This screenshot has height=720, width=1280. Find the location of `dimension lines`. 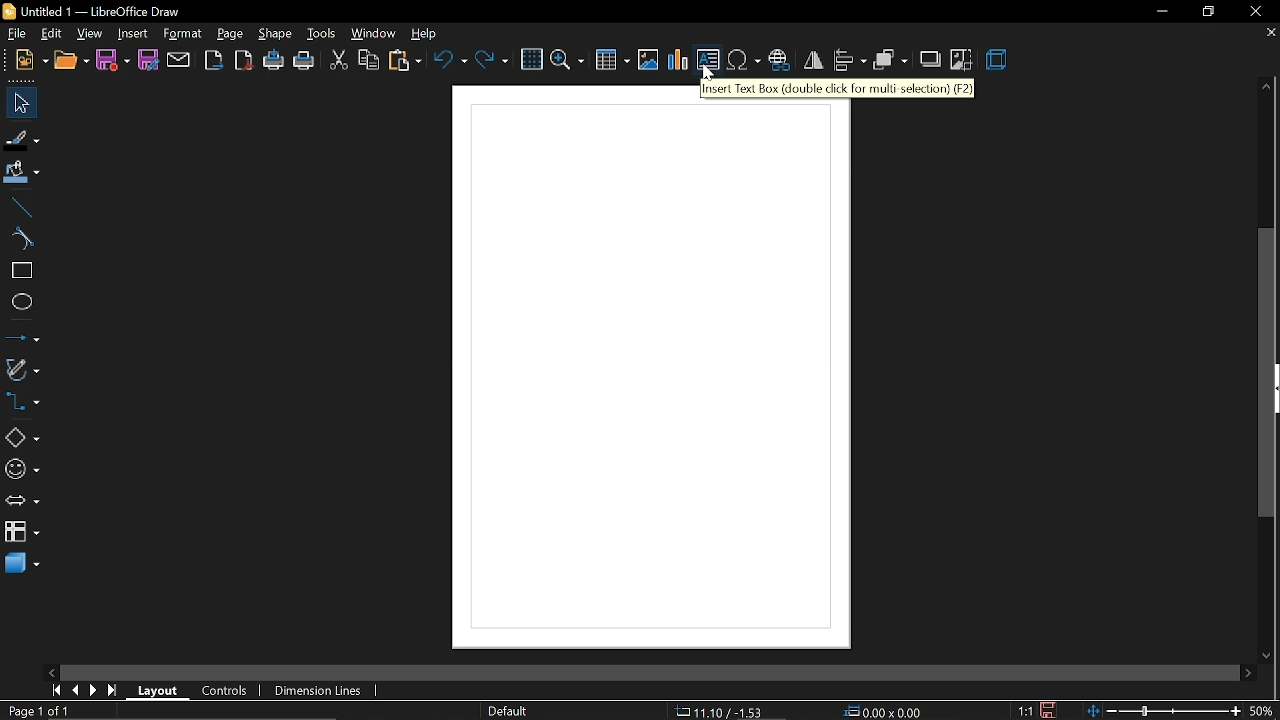

dimension lines is located at coordinates (316, 692).